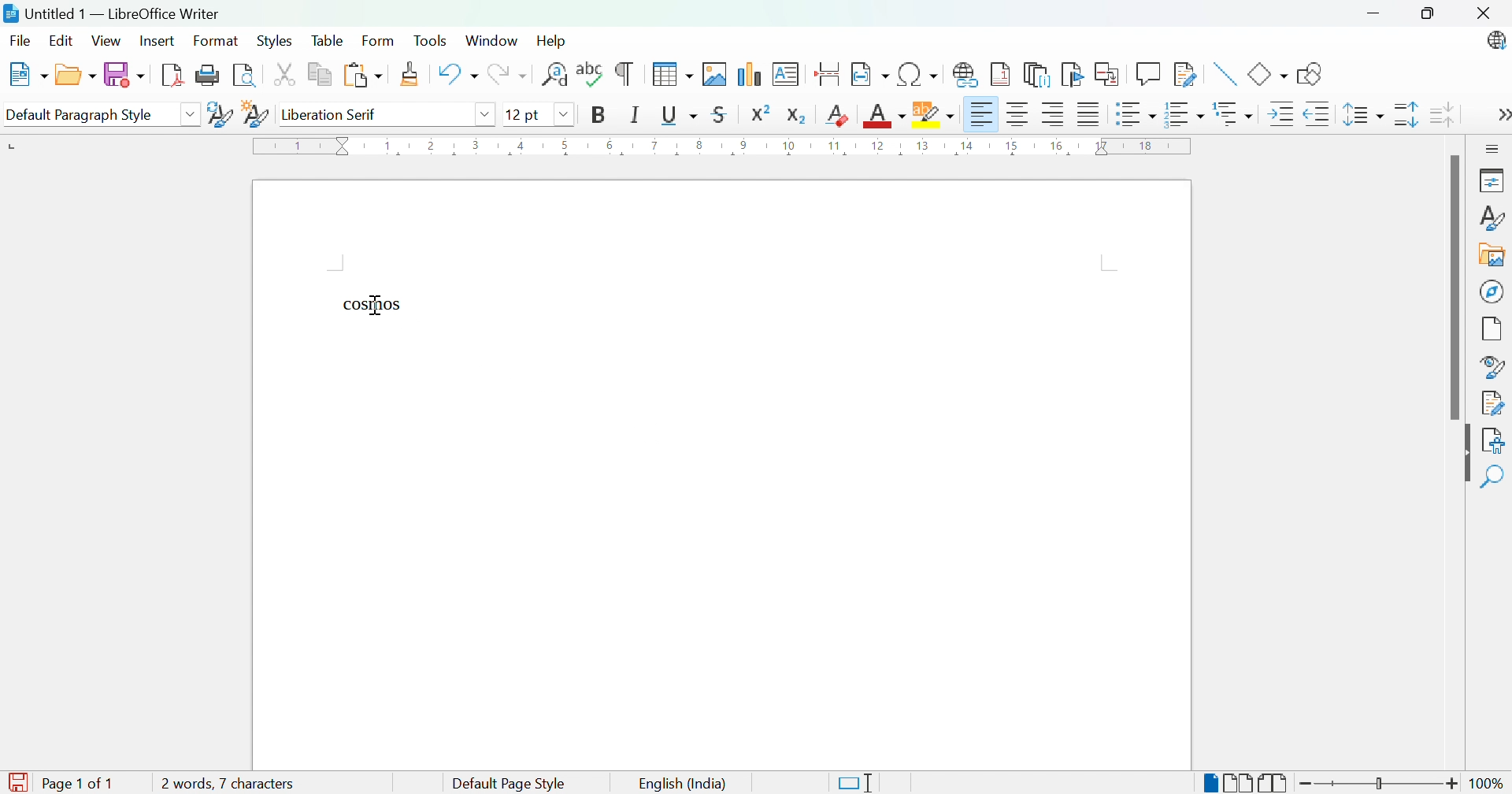 The height and width of the screenshot is (794, 1512). I want to click on Export as PDF, so click(172, 74).